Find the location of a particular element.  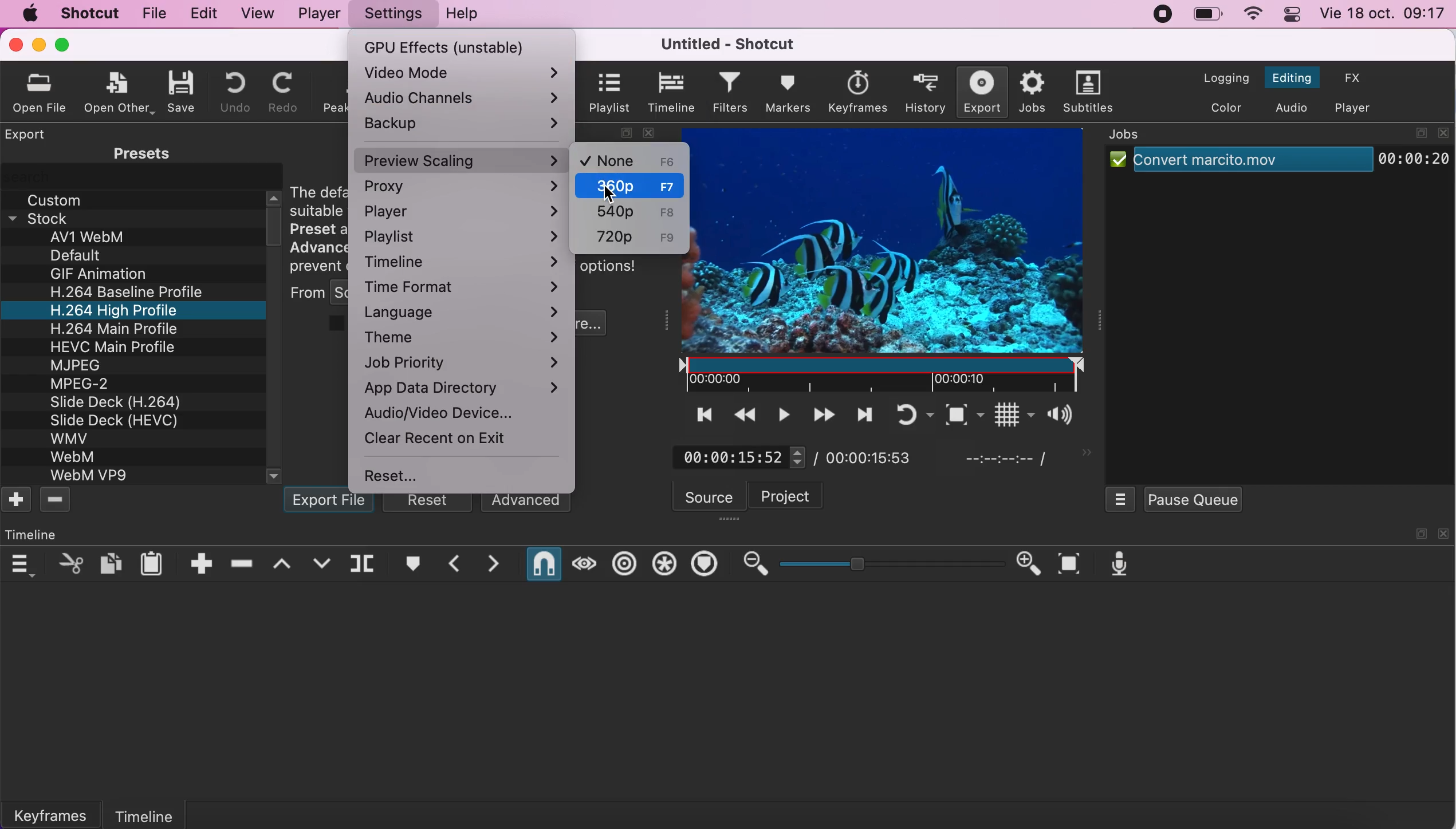

pause queue is located at coordinates (1192, 499).